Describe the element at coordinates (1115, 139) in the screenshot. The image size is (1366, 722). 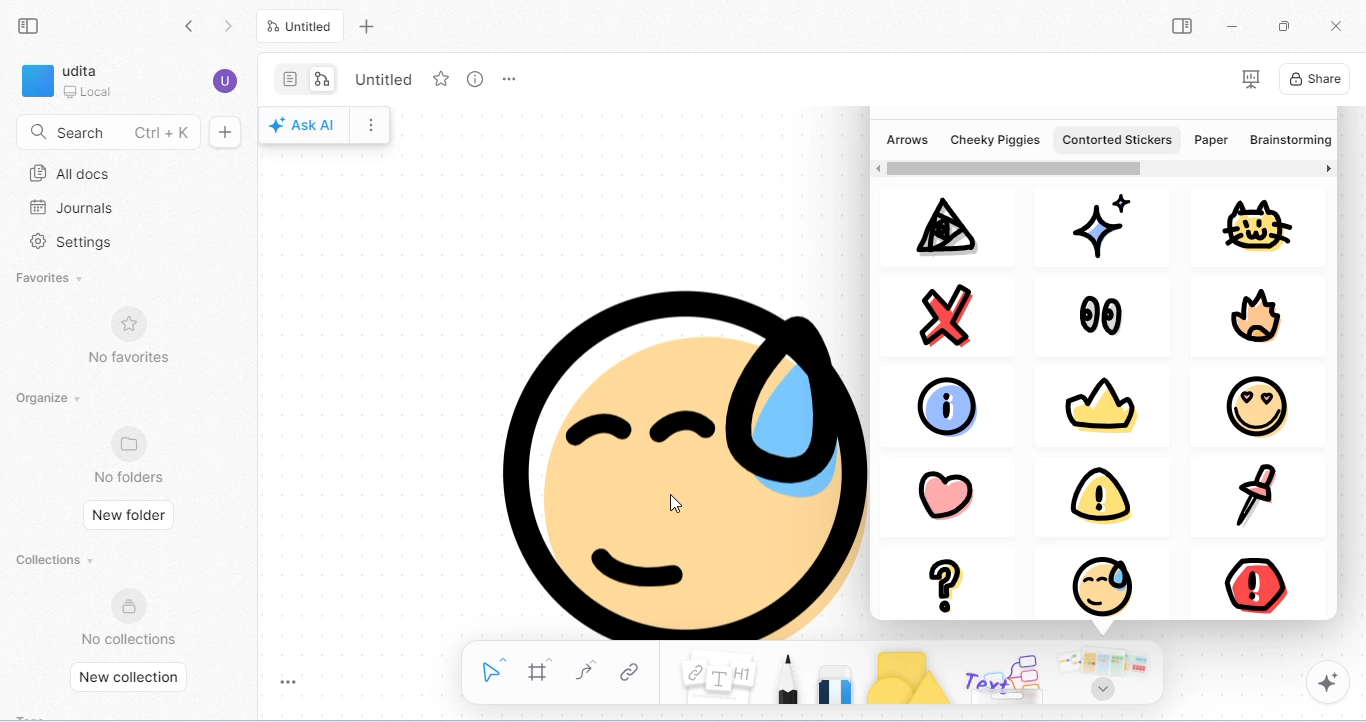
I see `contorted stickers` at that location.